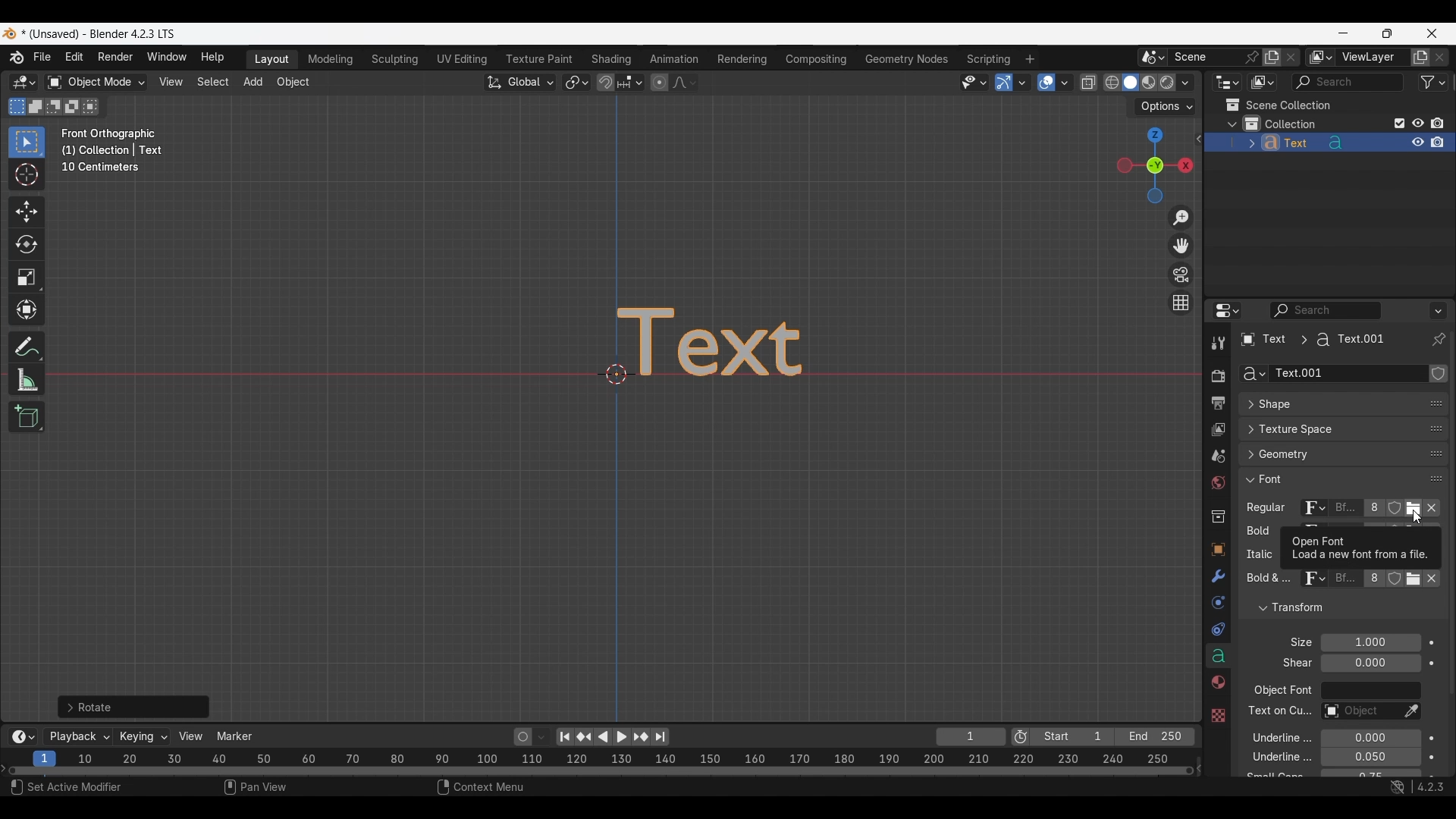 The height and width of the screenshot is (819, 1456). What do you see at coordinates (1217, 375) in the screenshot?
I see `Render` at bounding box center [1217, 375].